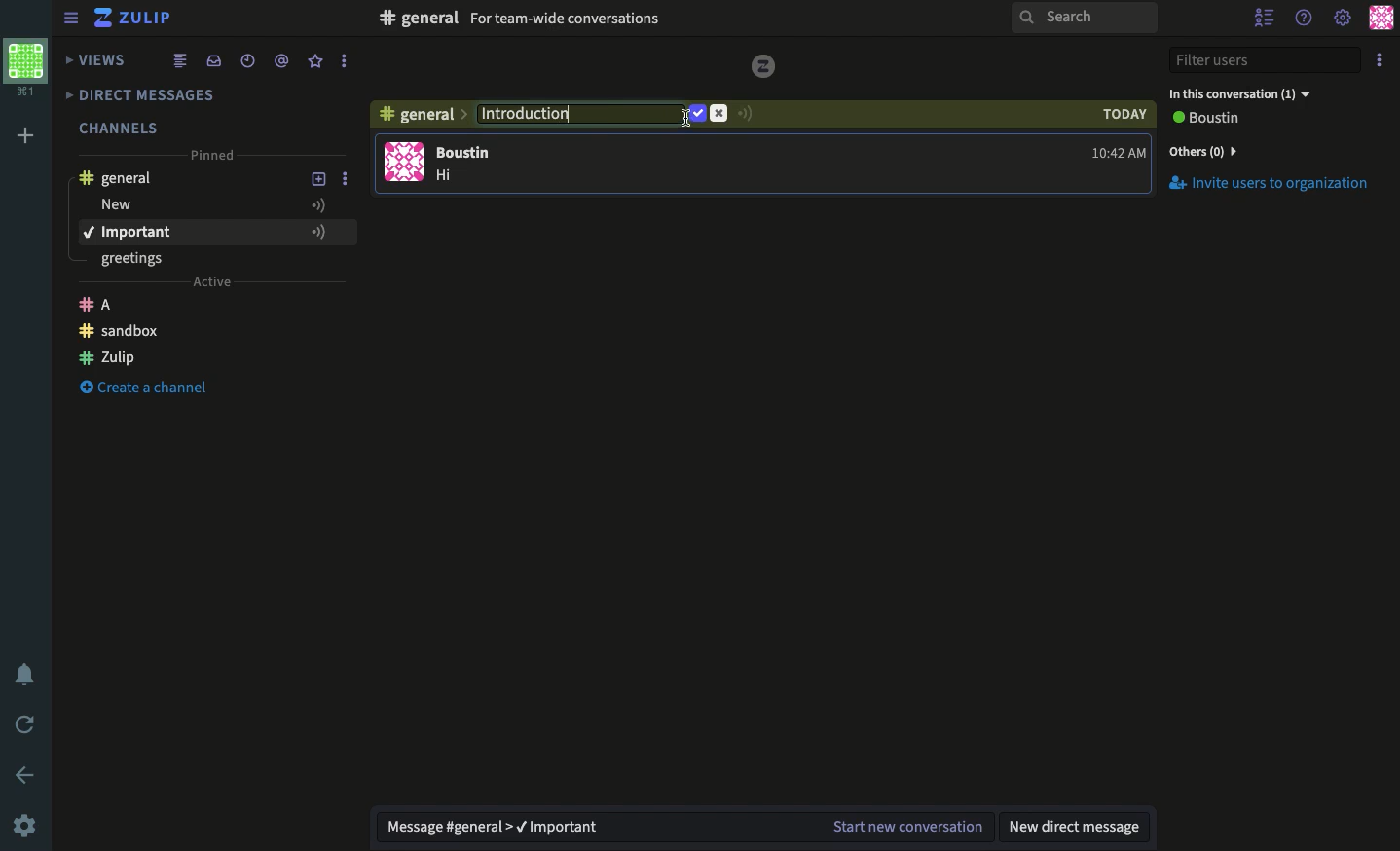  I want to click on Add, so click(315, 232).